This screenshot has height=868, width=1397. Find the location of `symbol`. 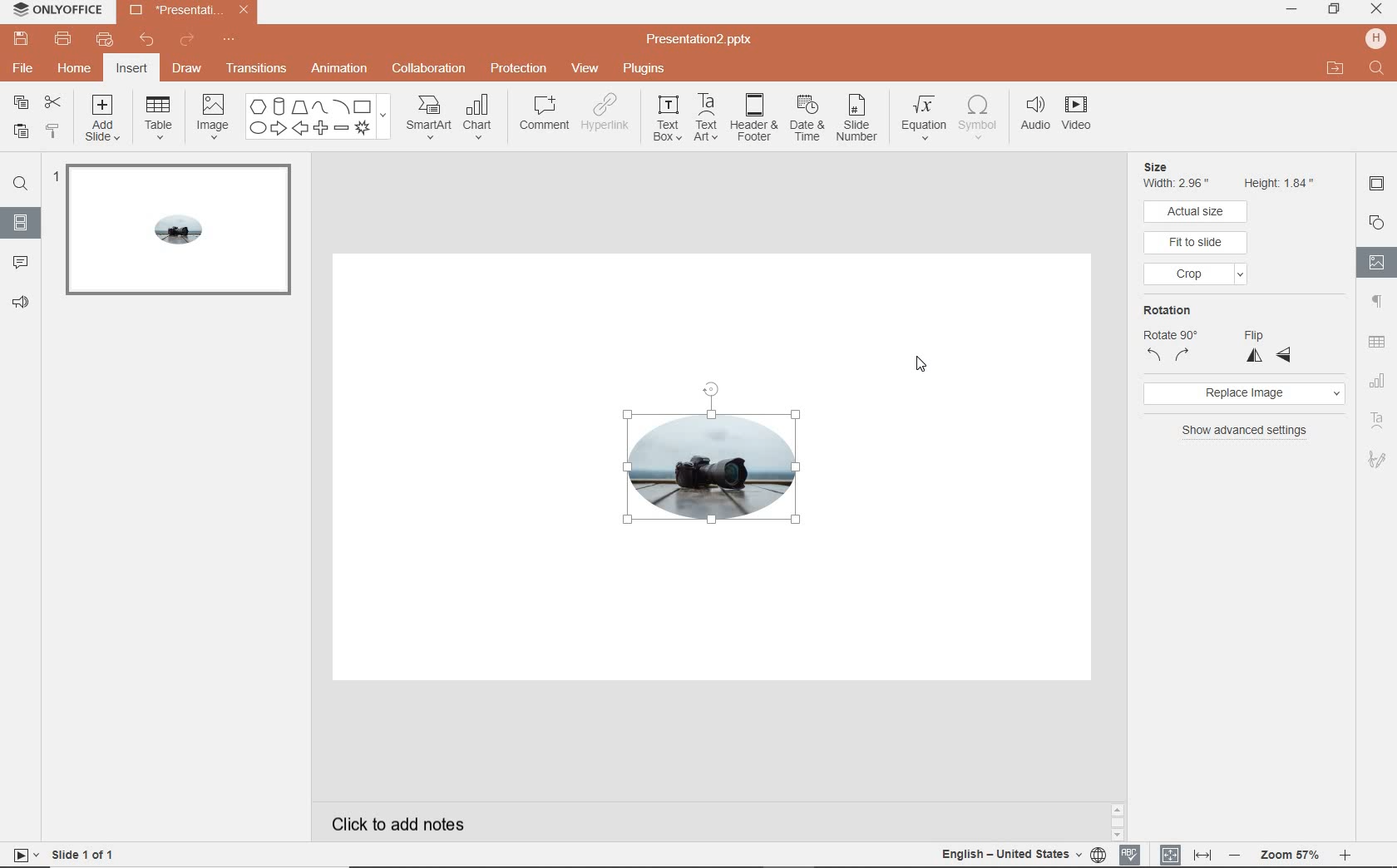

symbol is located at coordinates (980, 117).